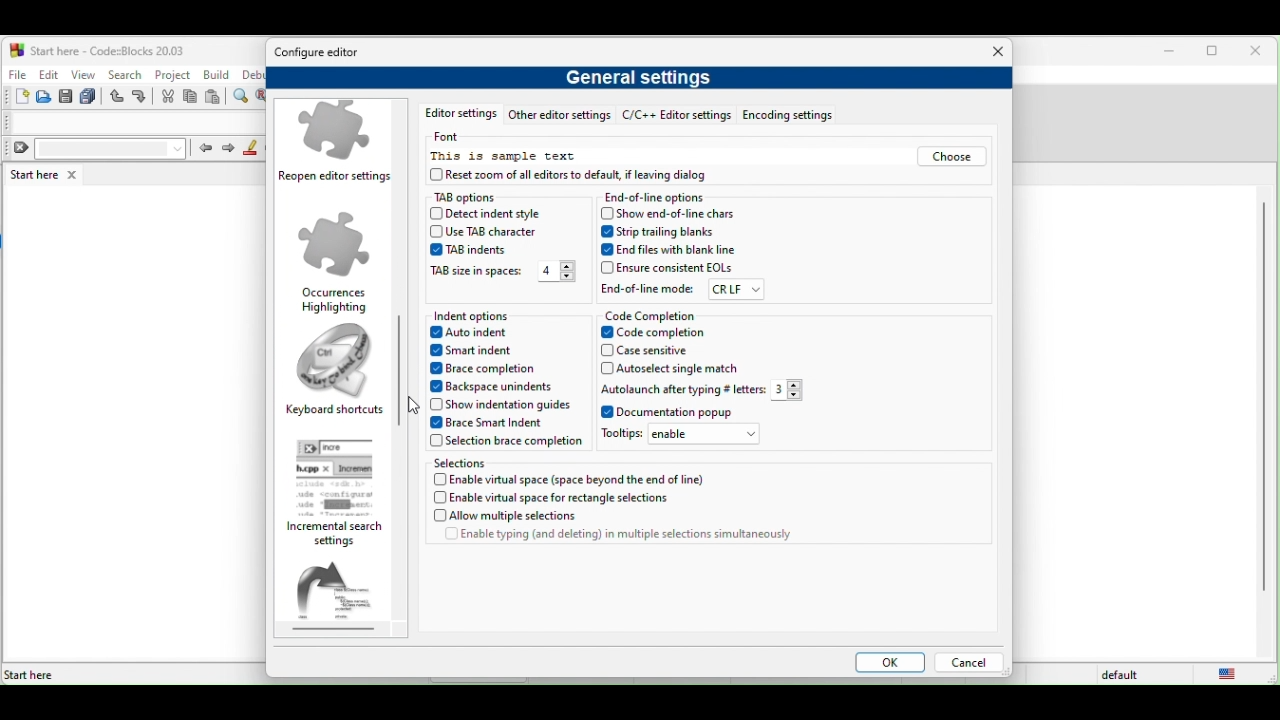 The width and height of the screenshot is (1280, 720). What do you see at coordinates (559, 117) in the screenshot?
I see `other editor setting` at bounding box center [559, 117].